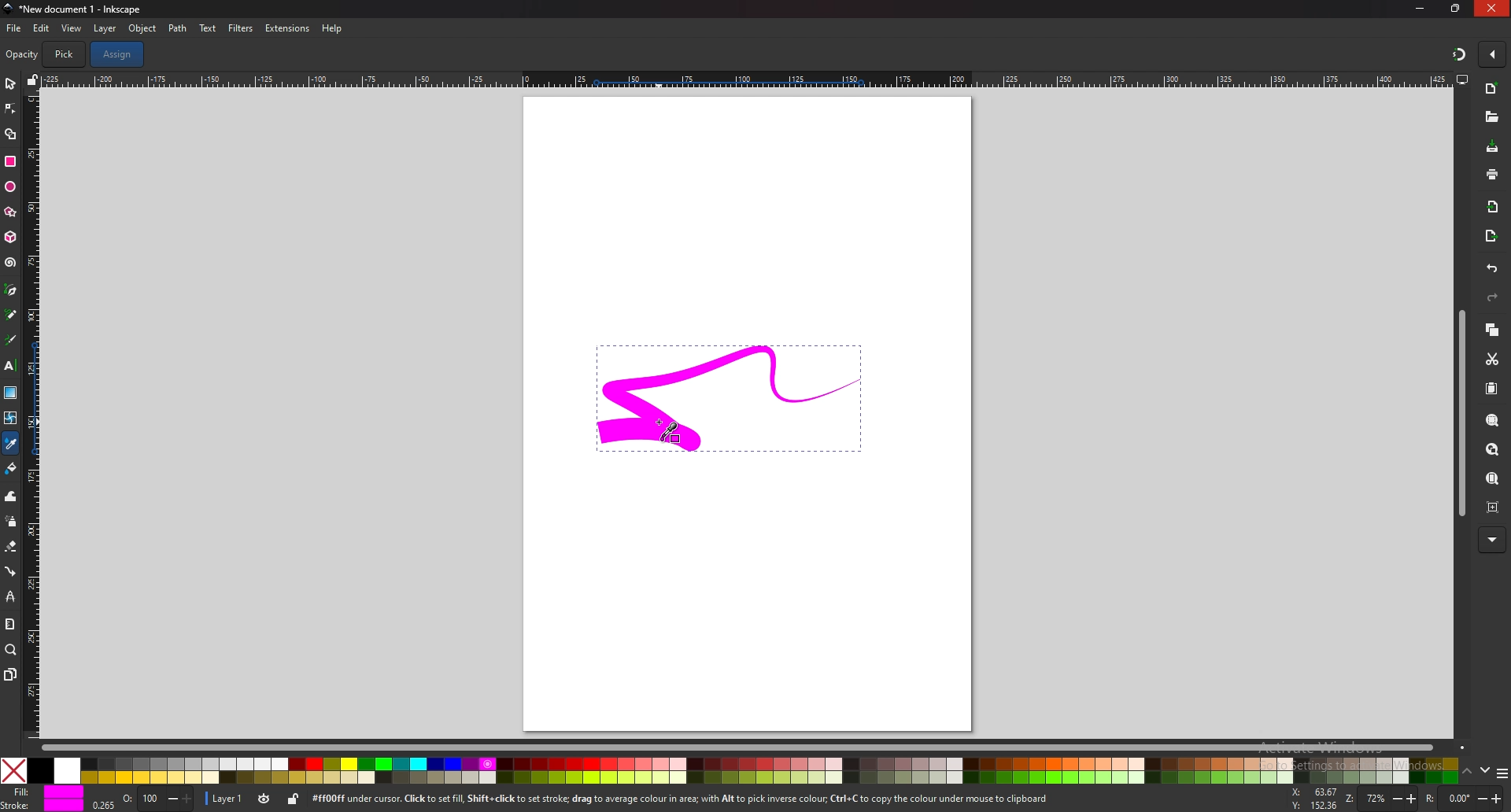 This screenshot has height=812, width=1511. Describe the element at coordinates (1461, 799) in the screenshot. I see `rotate` at that location.